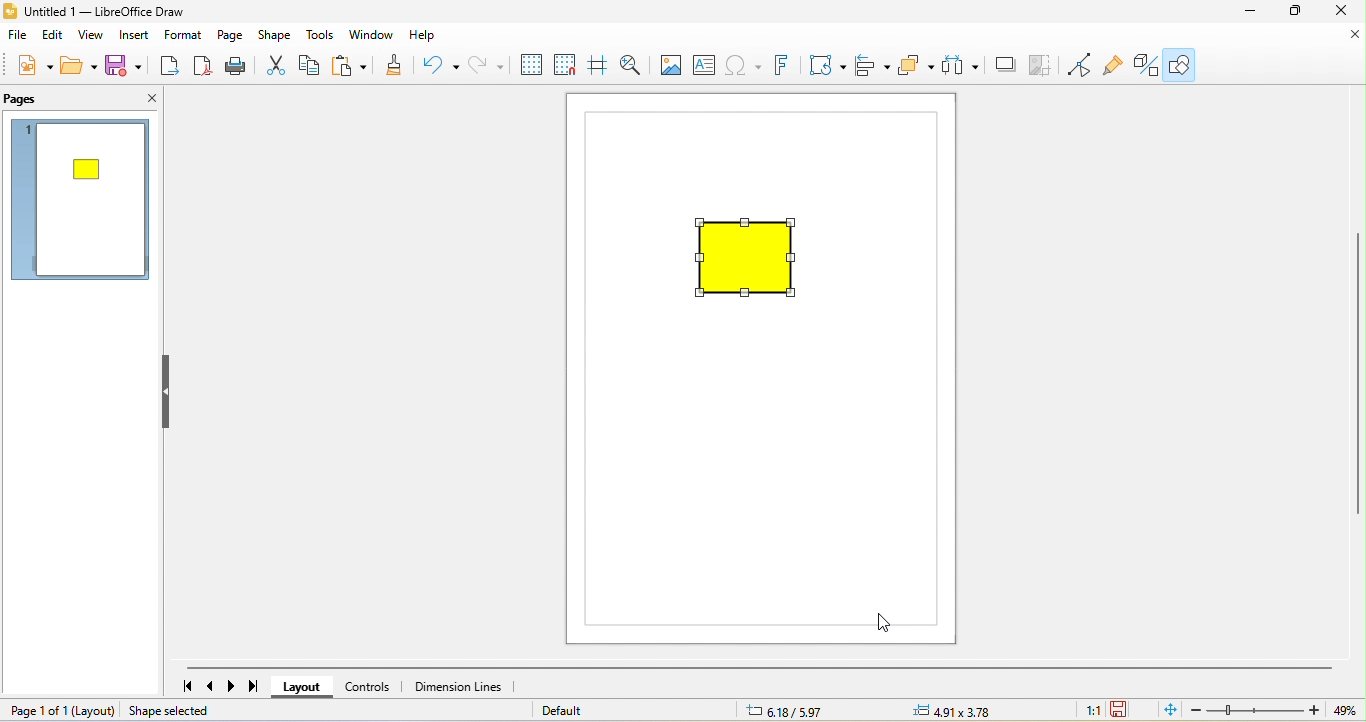 The width and height of the screenshot is (1366, 722). Describe the element at coordinates (203, 68) in the screenshot. I see `export direct as pdf` at that location.